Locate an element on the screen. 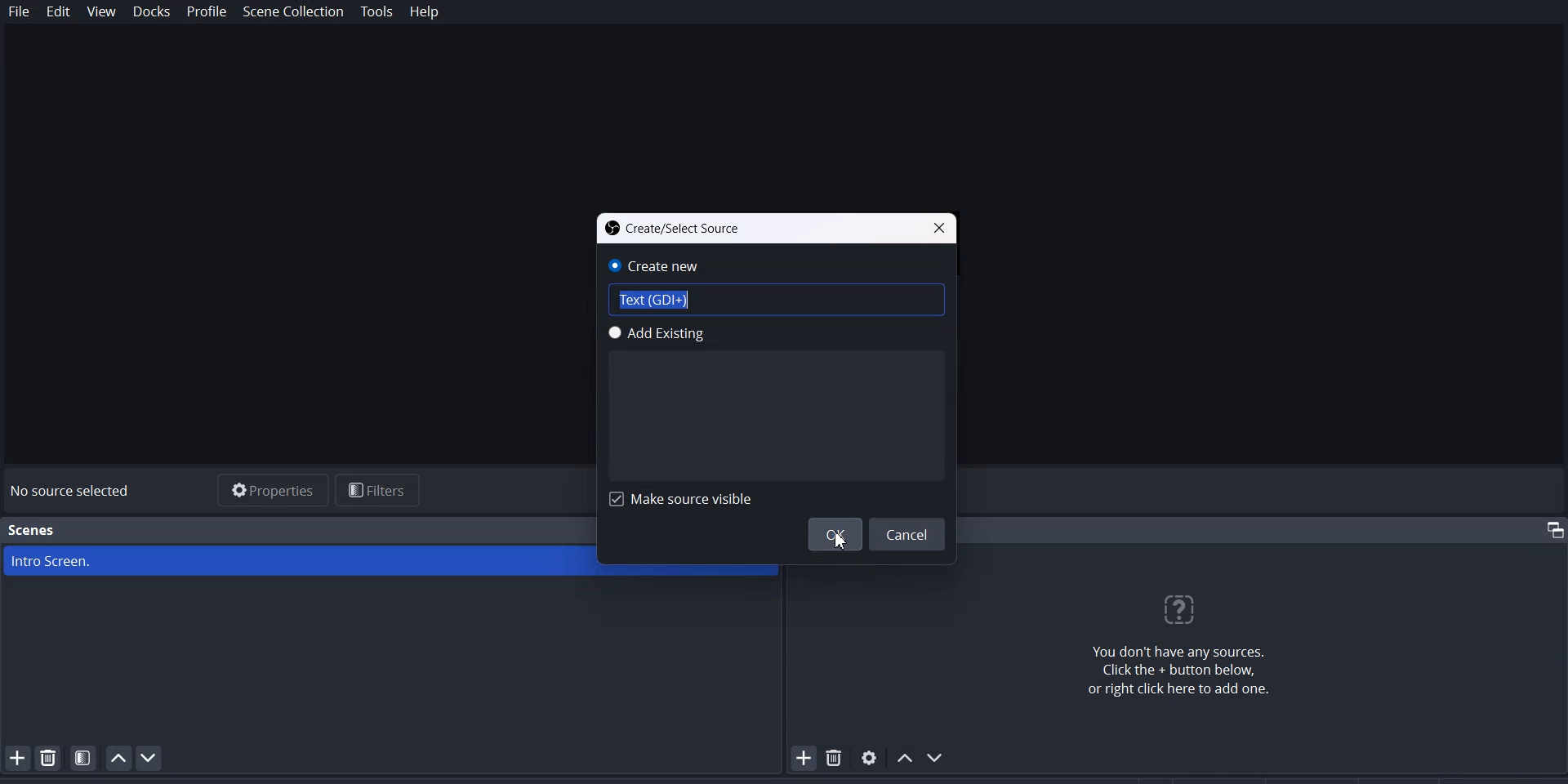 This screenshot has height=784, width=1568. Tools is located at coordinates (377, 12).